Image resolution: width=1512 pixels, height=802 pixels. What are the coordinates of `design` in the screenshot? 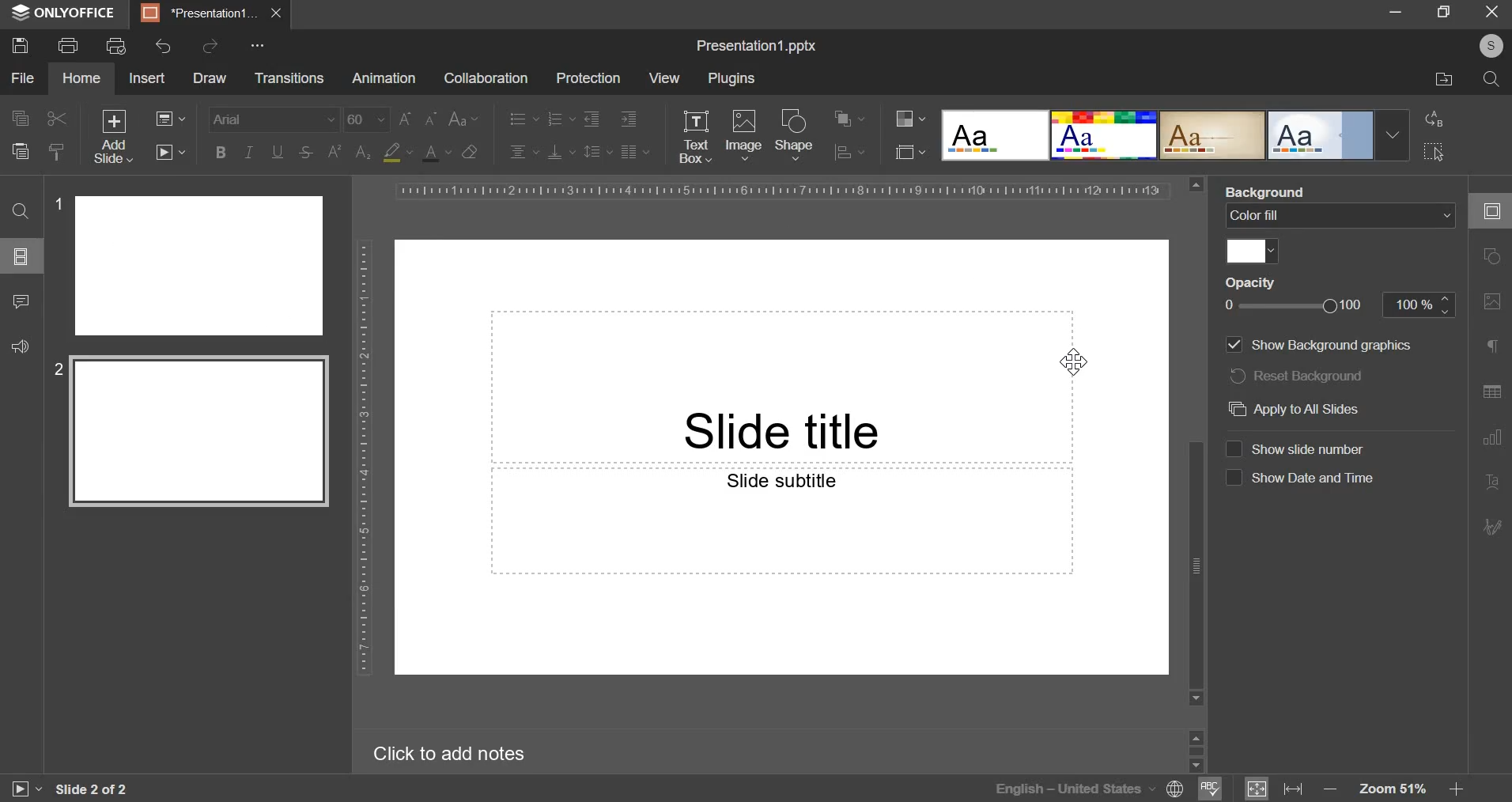 It's located at (1175, 134).